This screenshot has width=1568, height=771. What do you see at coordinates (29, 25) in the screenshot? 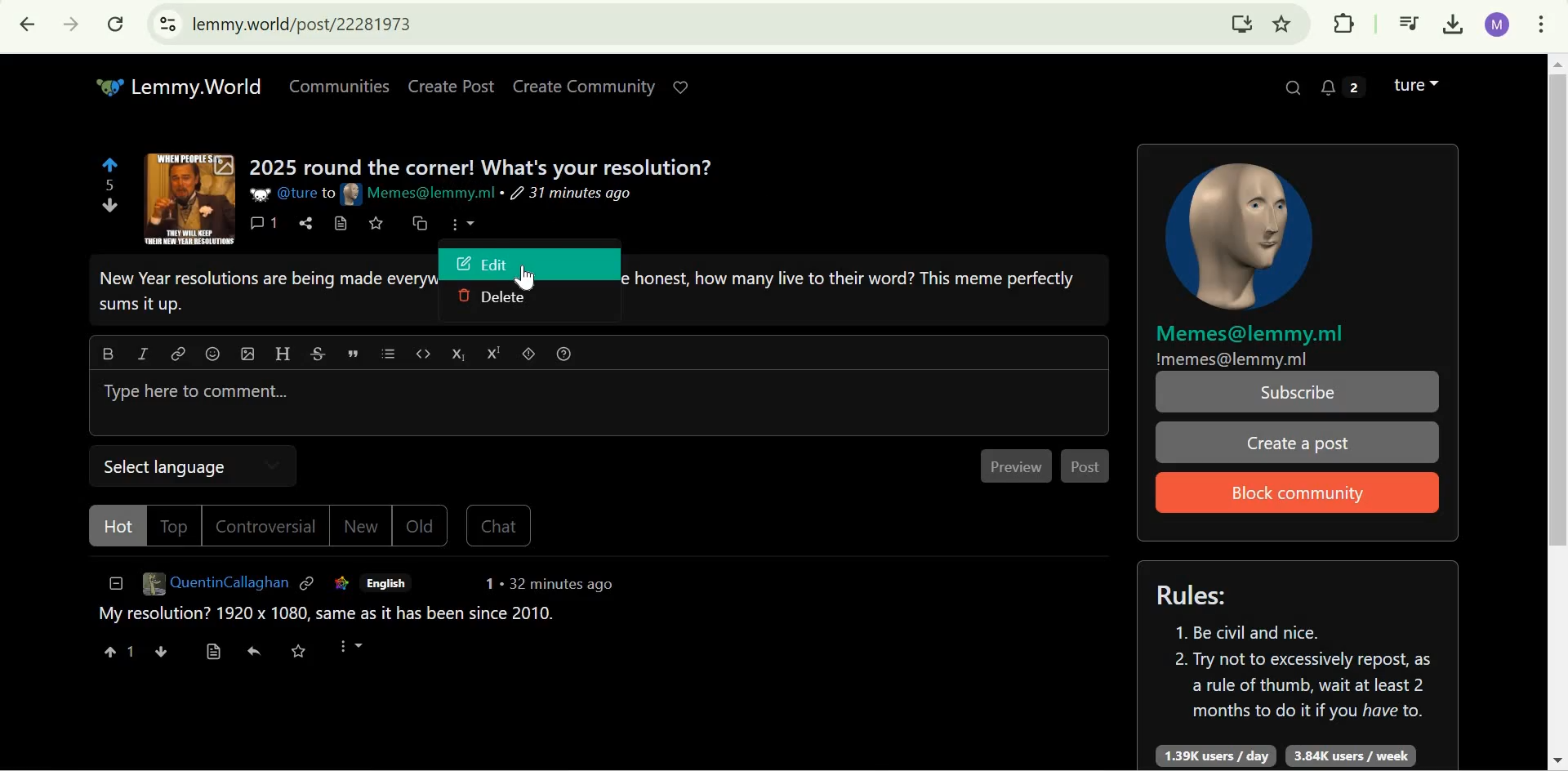
I see `Click to go back, hold to see history` at bounding box center [29, 25].